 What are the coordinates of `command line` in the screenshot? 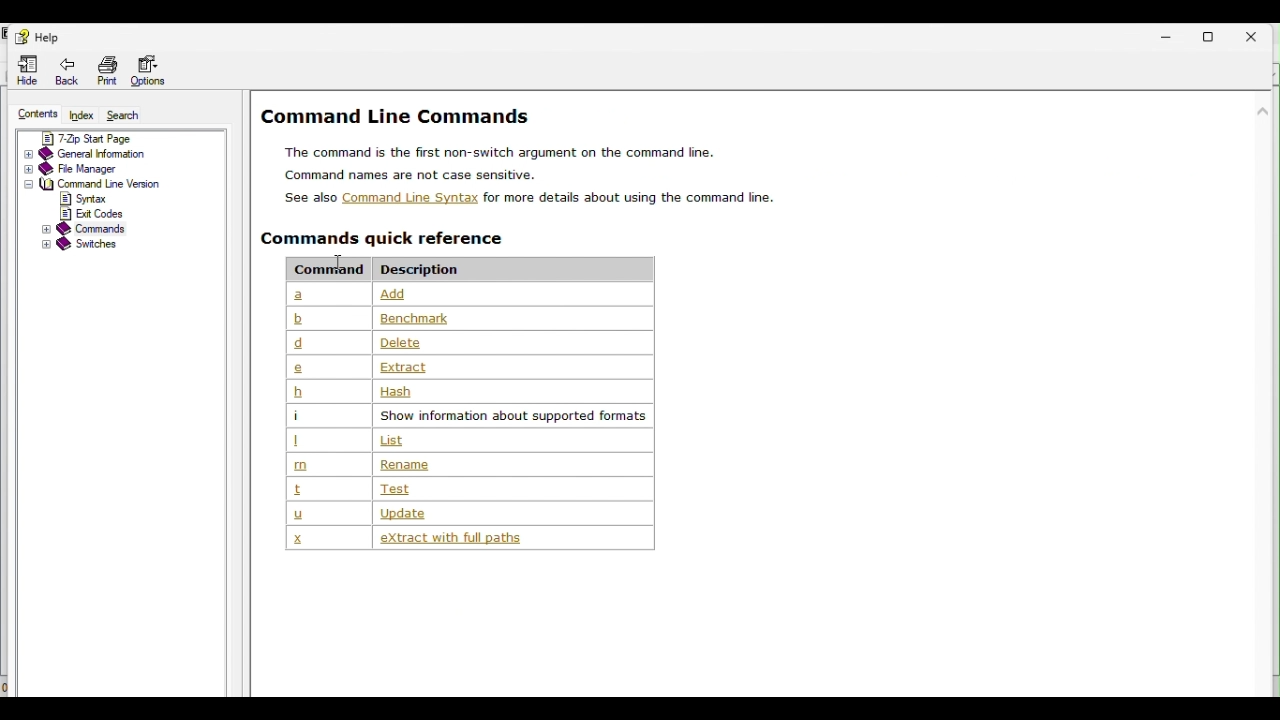 It's located at (96, 184).